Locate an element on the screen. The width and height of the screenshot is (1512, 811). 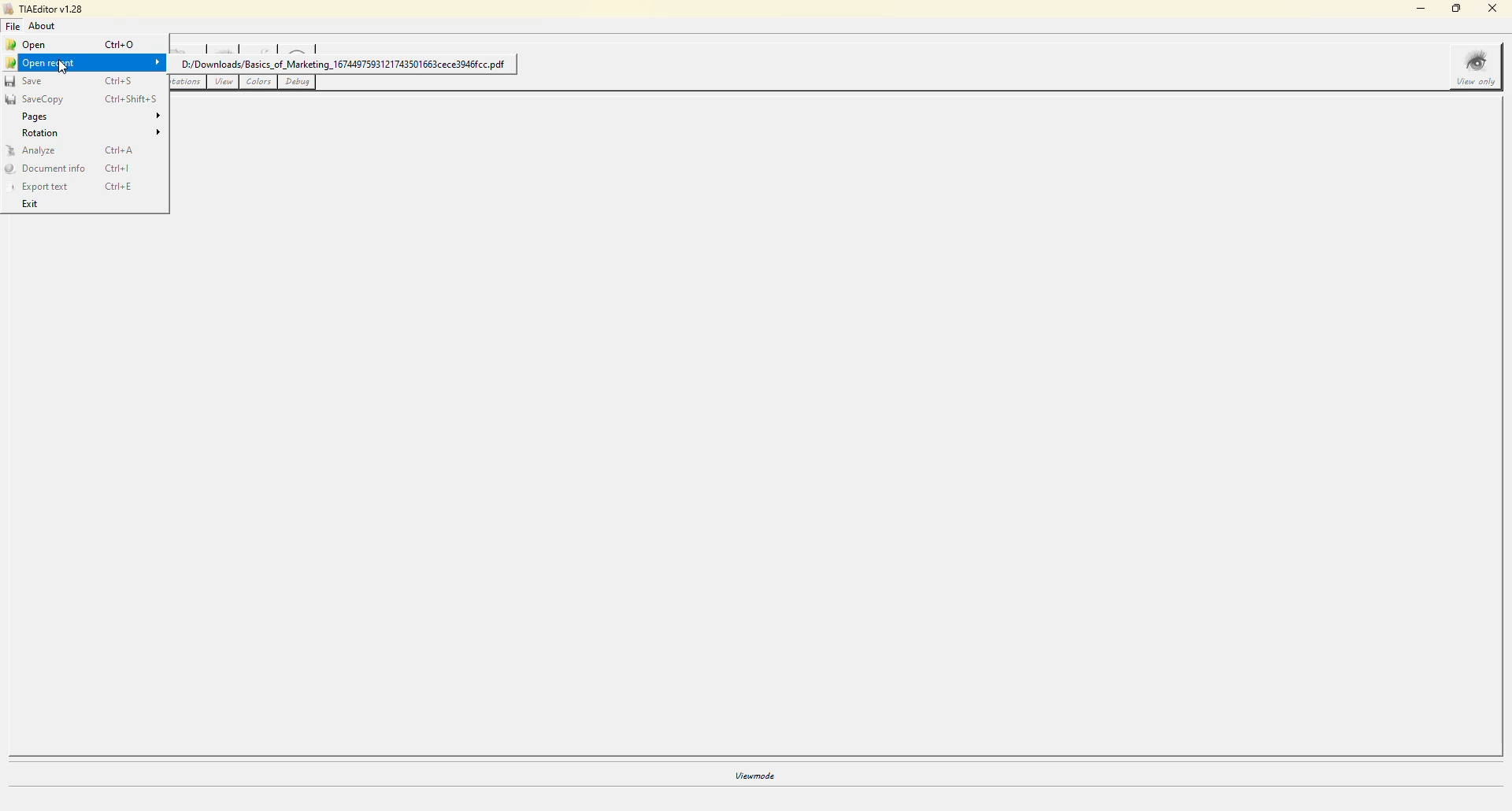
ctrl+s is located at coordinates (123, 80).